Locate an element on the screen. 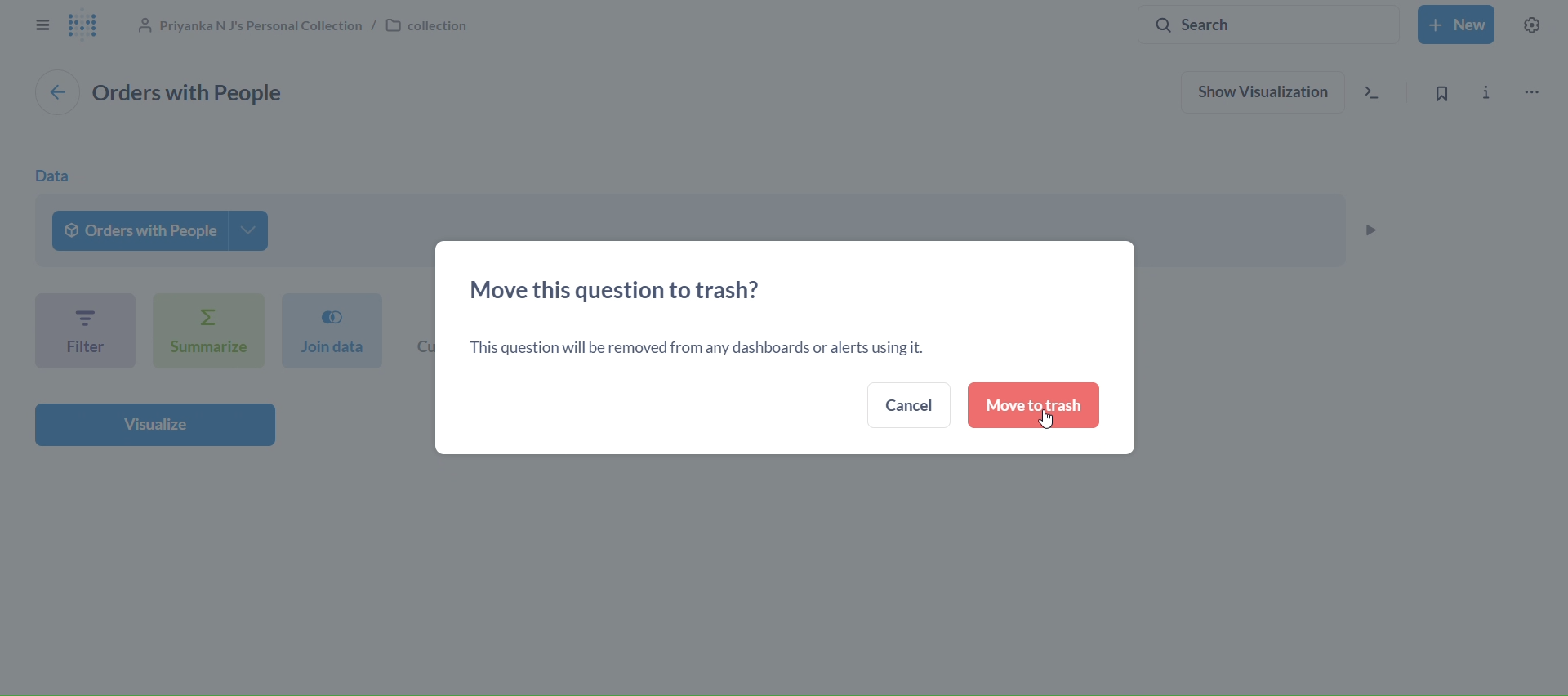  Settings is located at coordinates (1534, 24).